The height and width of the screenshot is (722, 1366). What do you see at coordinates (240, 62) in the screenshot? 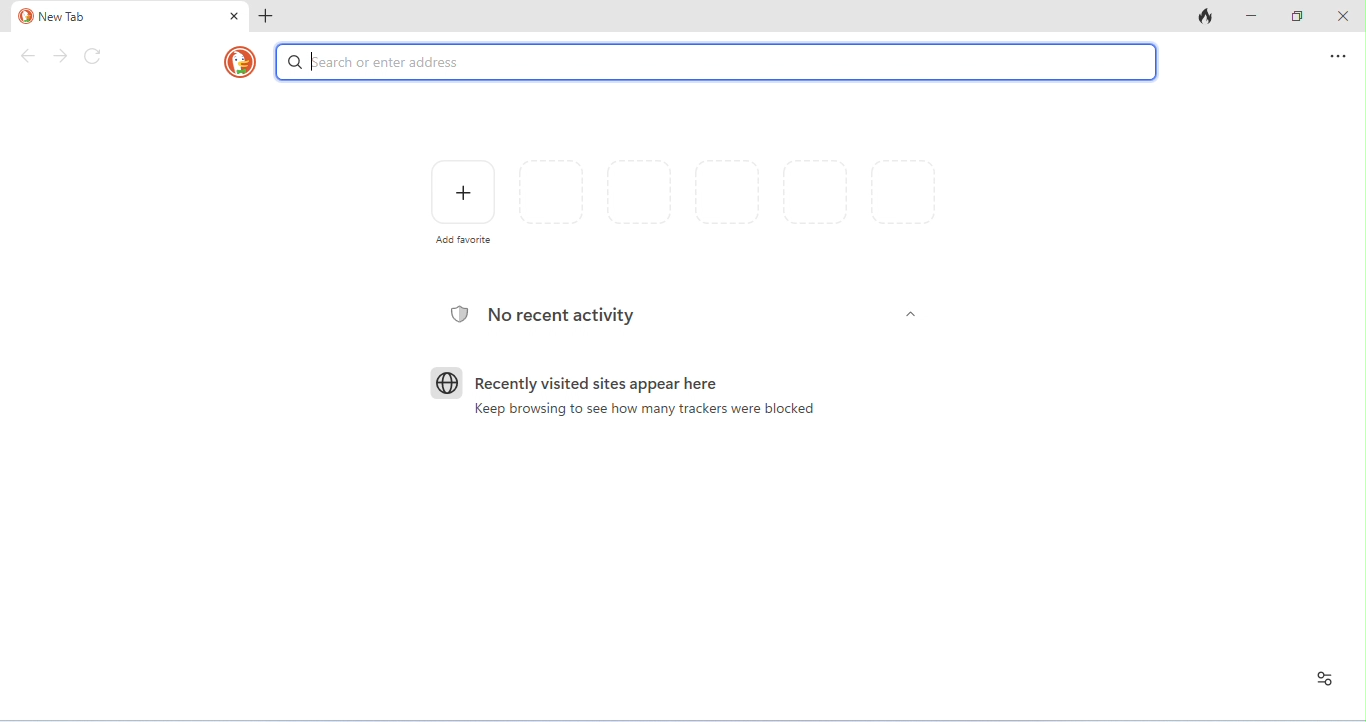
I see `duckduck go logo` at bounding box center [240, 62].